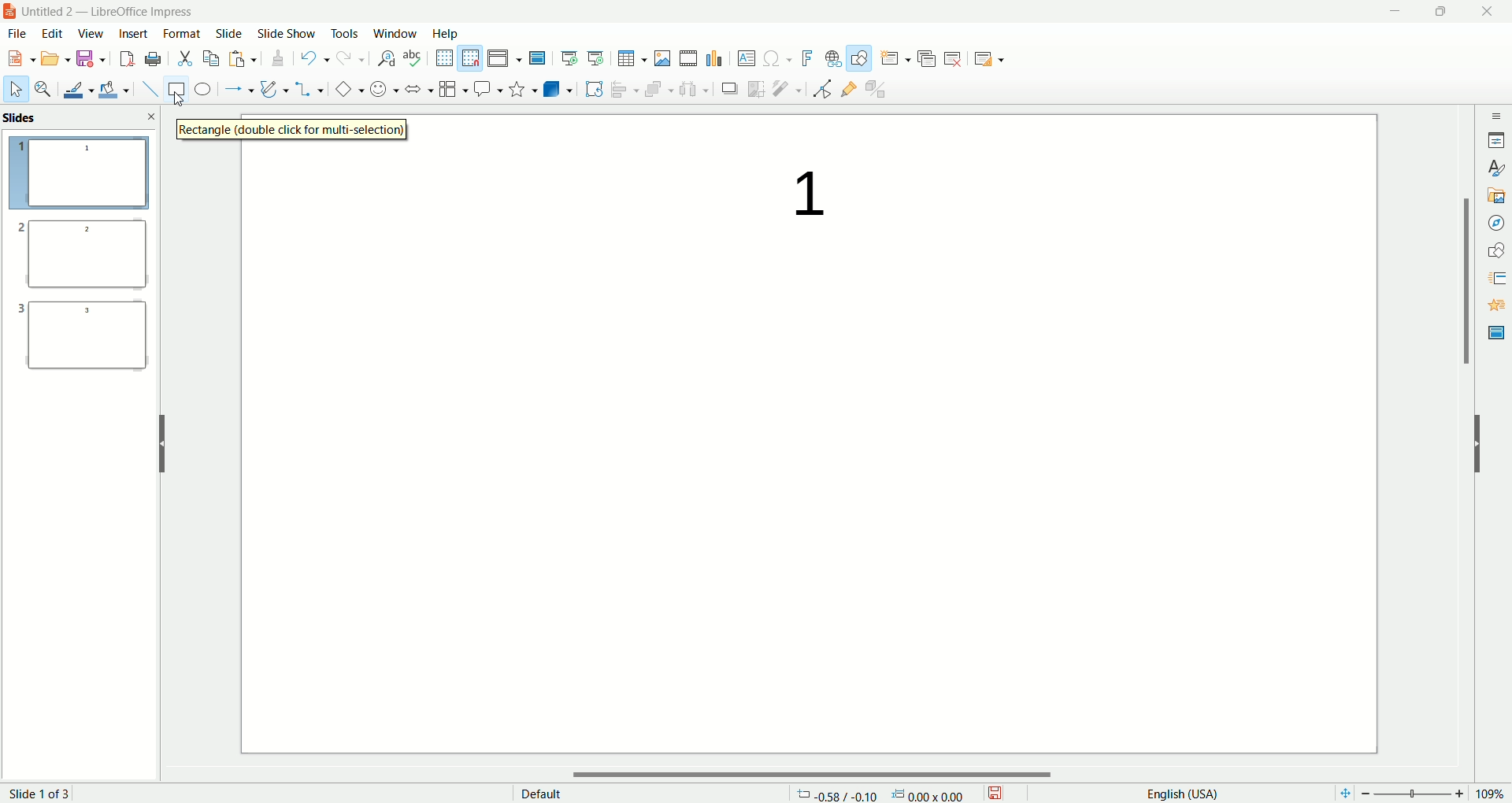 The width and height of the screenshot is (1512, 803). What do you see at coordinates (297, 130) in the screenshot?
I see `cursor description` at bounding box center [297, 130].